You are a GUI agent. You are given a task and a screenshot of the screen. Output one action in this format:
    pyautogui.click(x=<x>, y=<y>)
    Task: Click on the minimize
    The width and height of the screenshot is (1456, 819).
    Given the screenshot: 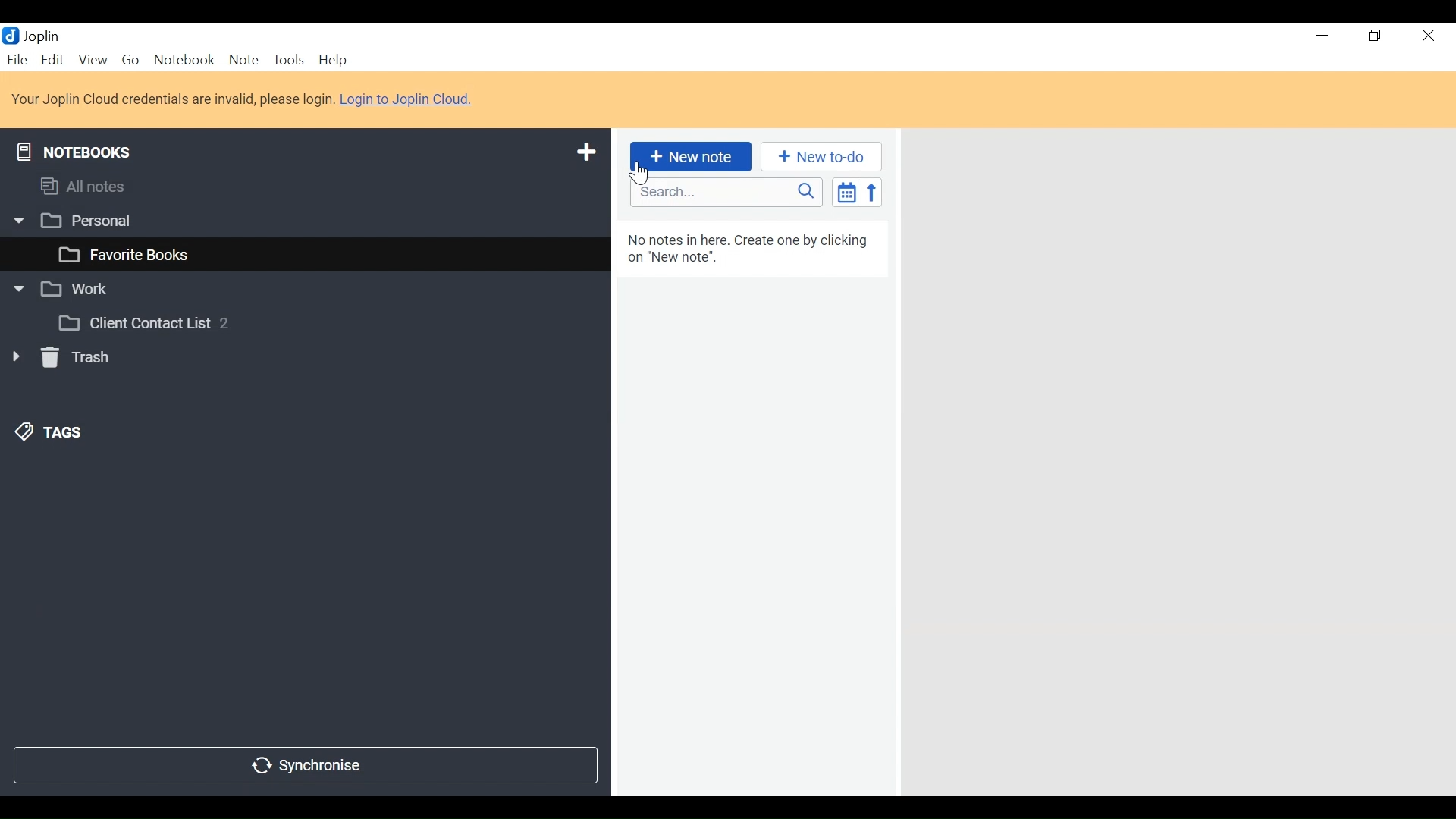 What is the action you would take?
    pyautogui.click(x=1323, y=36)
    